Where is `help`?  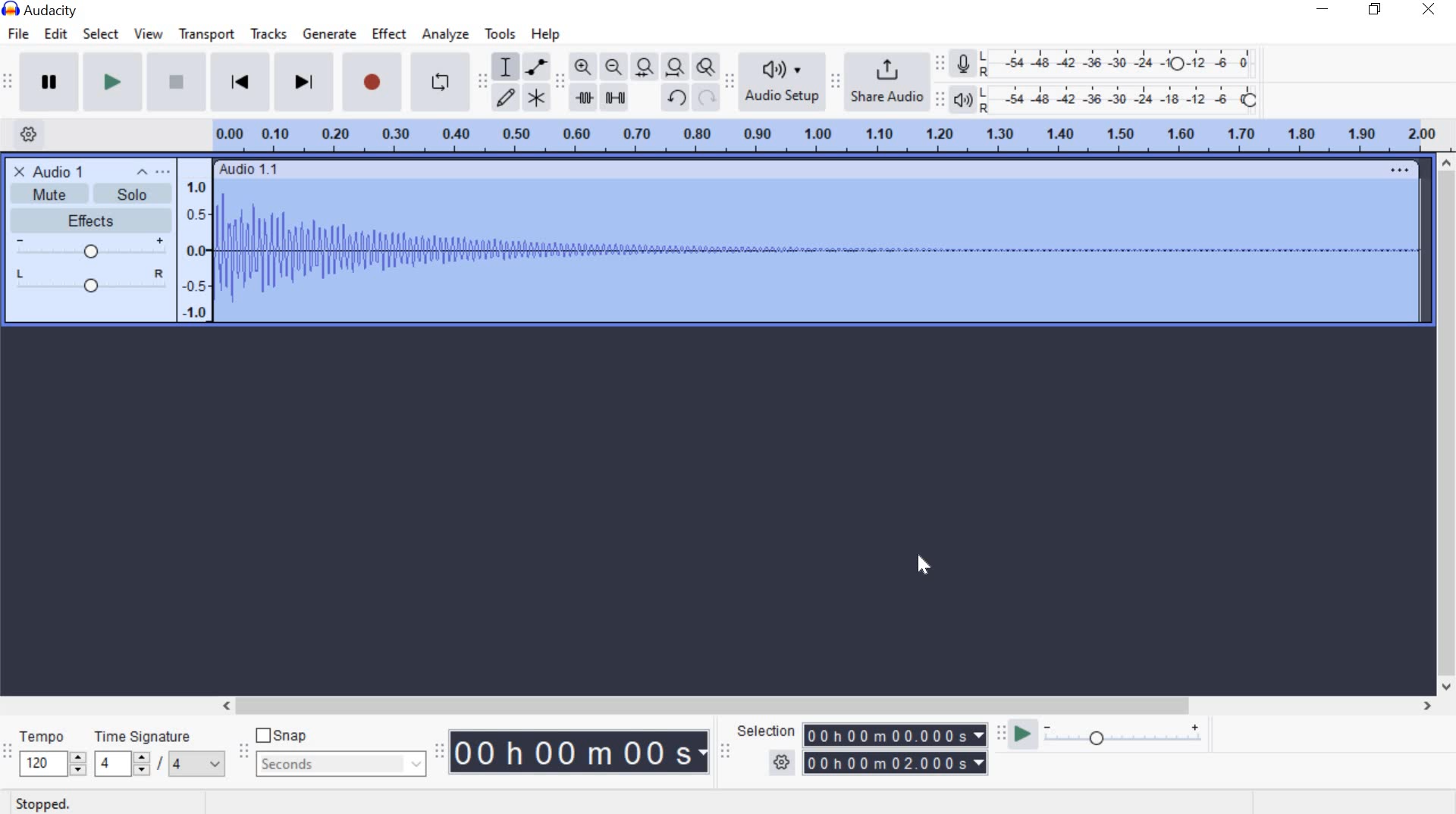
help is located at coordinates (544, 36).